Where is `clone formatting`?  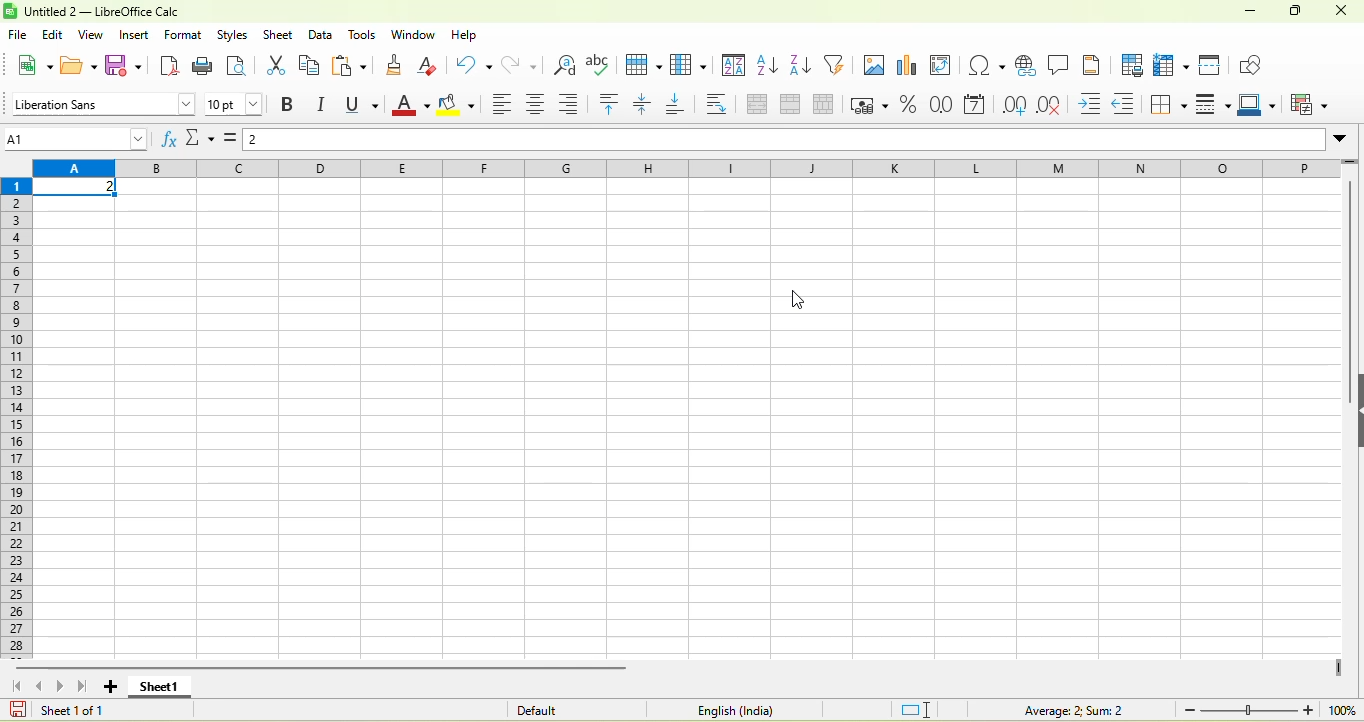
clone formatting is located at coordinates (400, 64).